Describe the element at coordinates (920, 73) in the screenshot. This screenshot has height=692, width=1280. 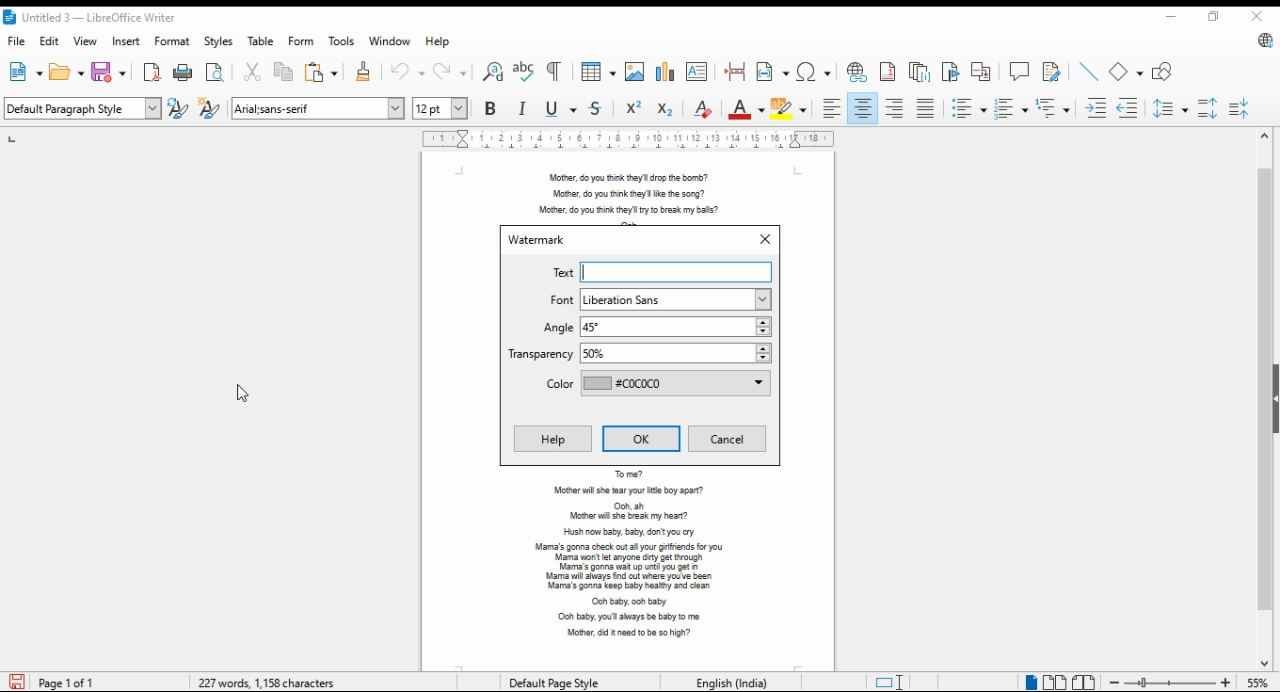
I see `insert endnote` at that location.